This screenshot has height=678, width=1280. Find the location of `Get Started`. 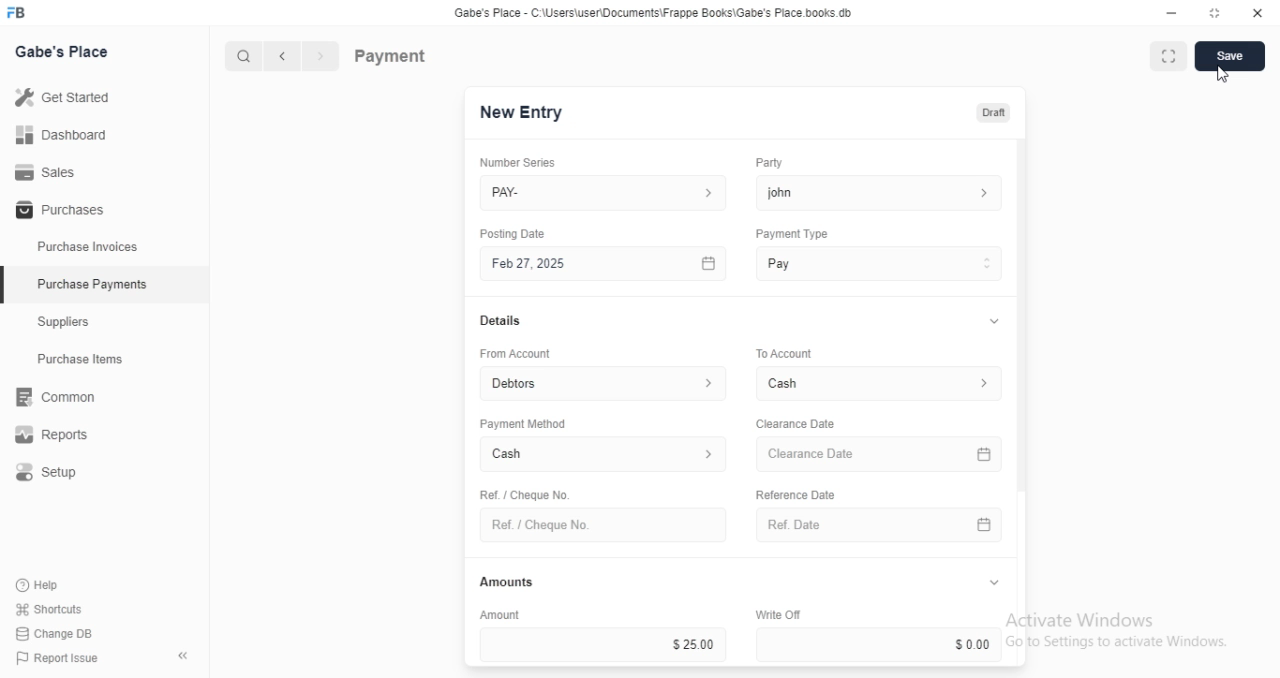

Get Started is located at coordinates (62, 96).